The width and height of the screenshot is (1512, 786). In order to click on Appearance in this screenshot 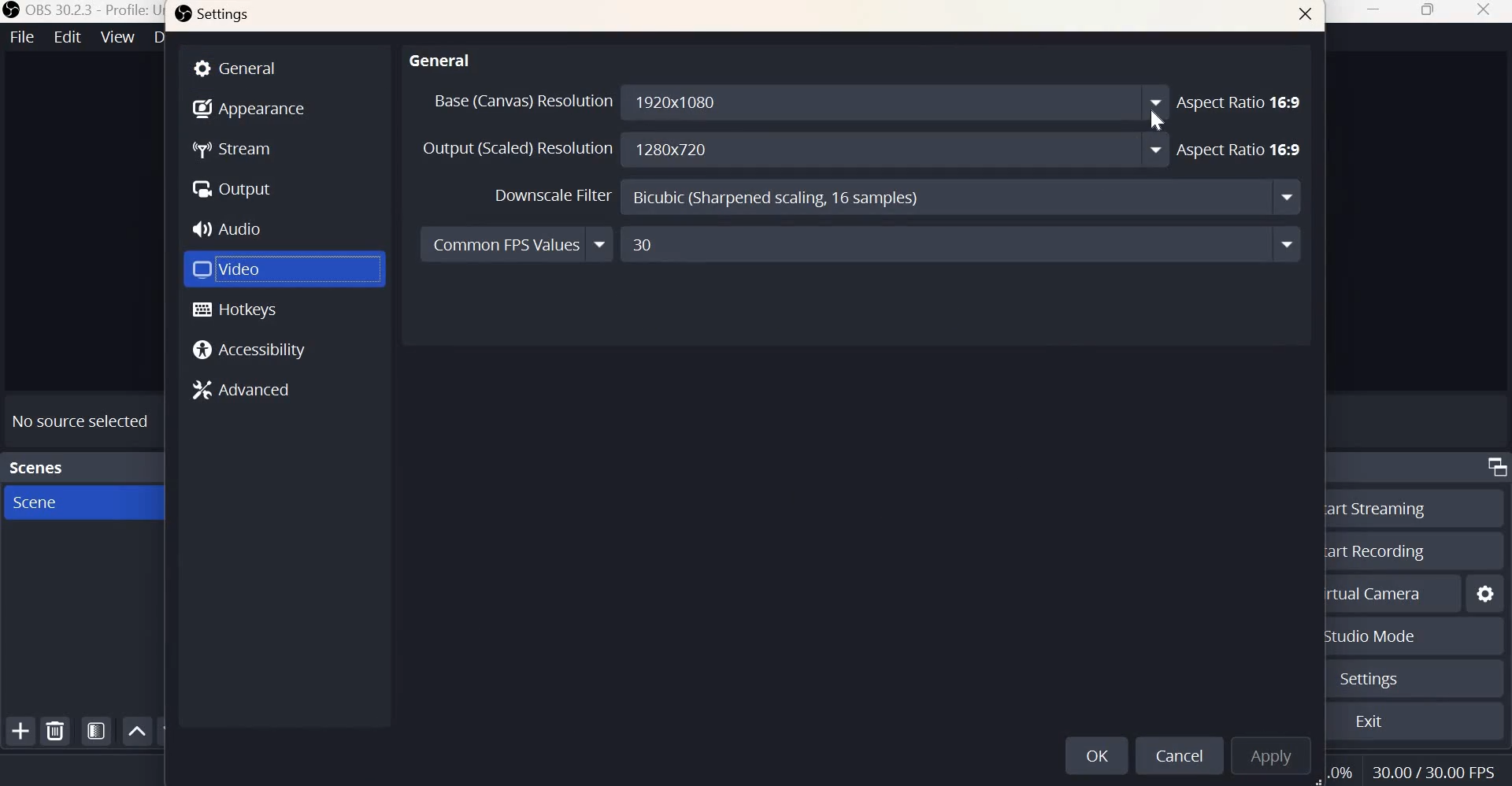, I will do `click(249, 106)`.